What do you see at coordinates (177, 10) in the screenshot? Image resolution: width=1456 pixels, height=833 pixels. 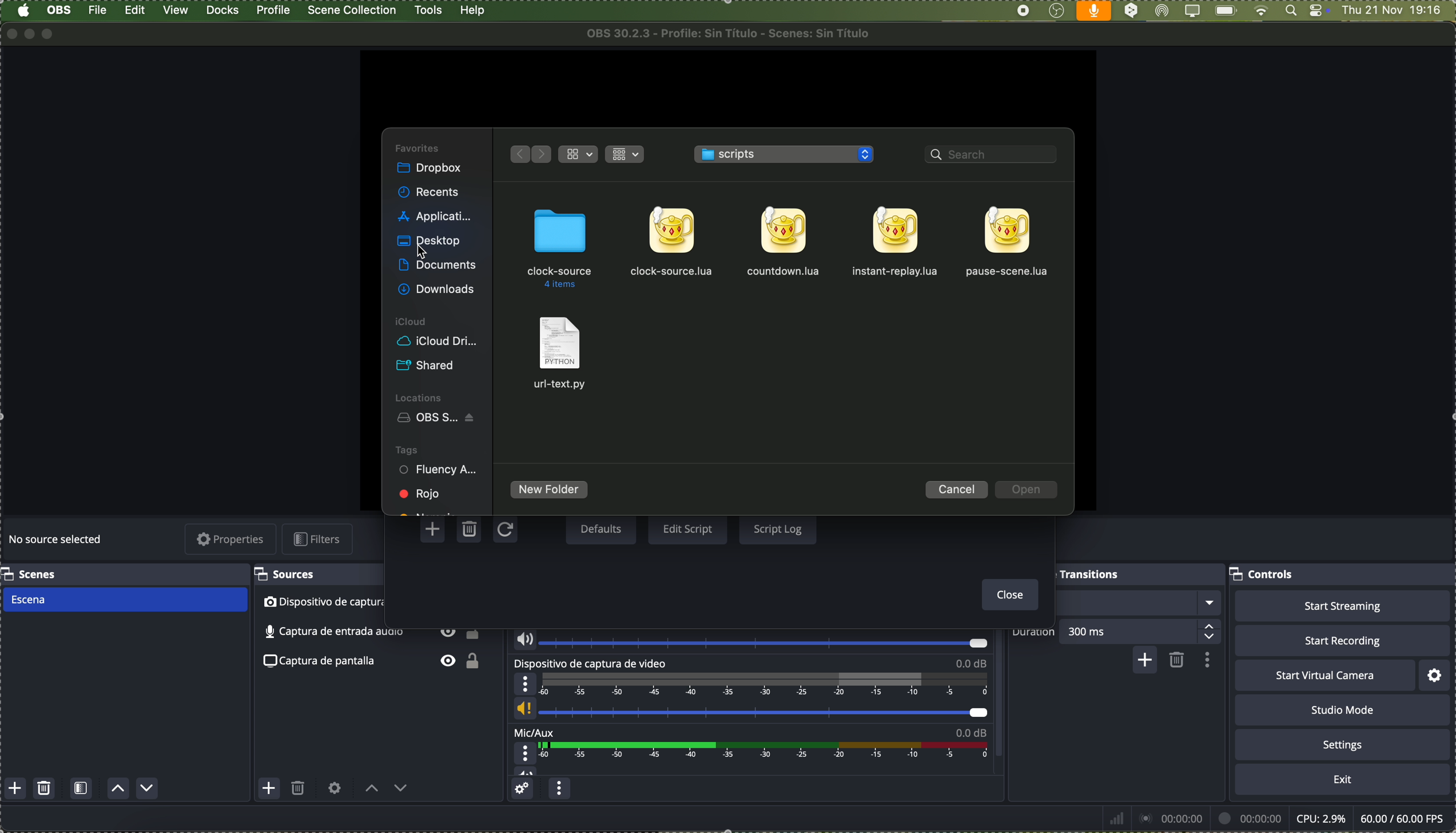 I see `view` at bounding box center [177, 10].